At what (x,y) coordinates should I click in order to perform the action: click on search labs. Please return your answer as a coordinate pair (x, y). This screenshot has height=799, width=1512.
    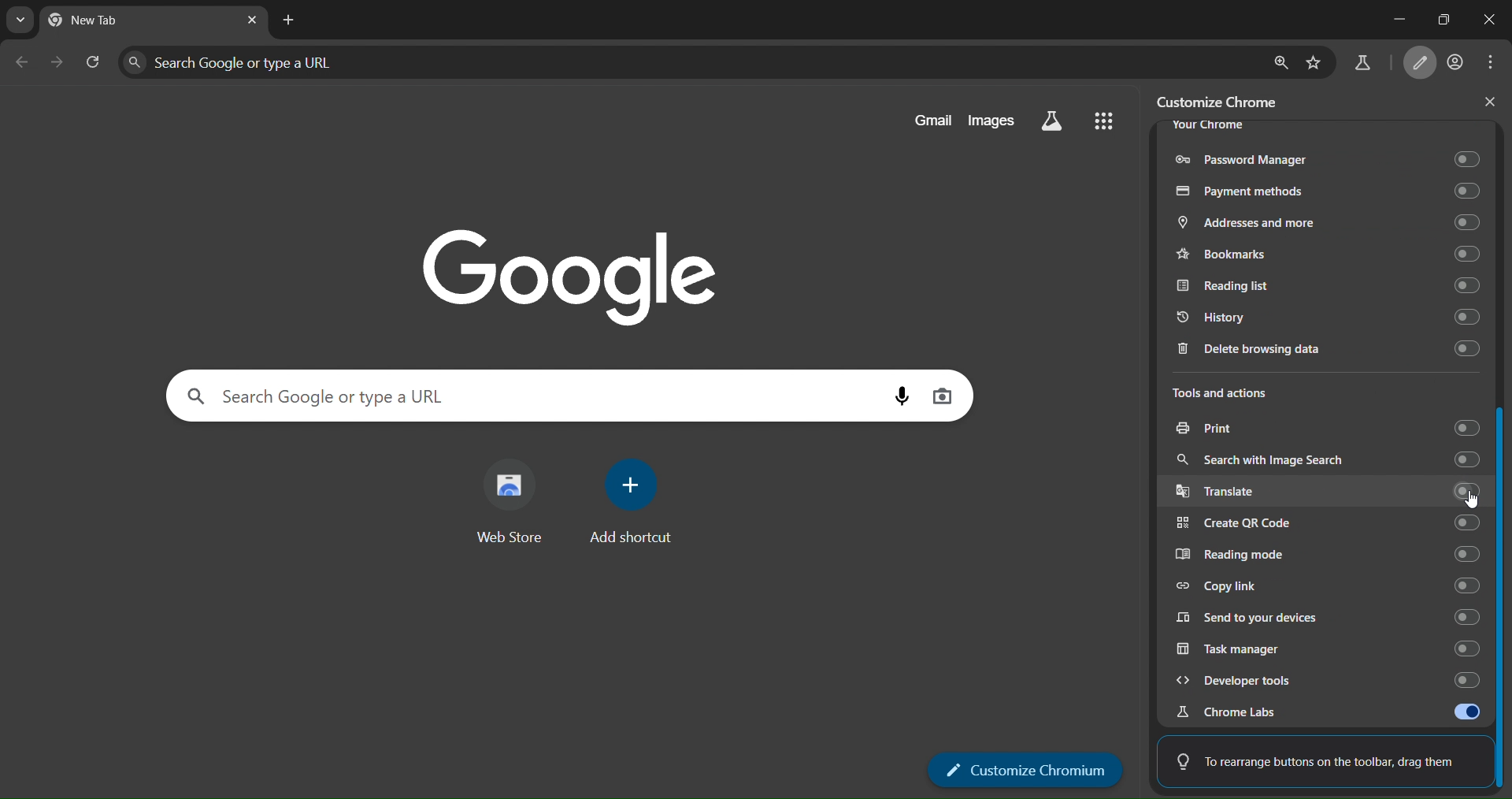
    Looking at the image, I should click on (1053, 121).